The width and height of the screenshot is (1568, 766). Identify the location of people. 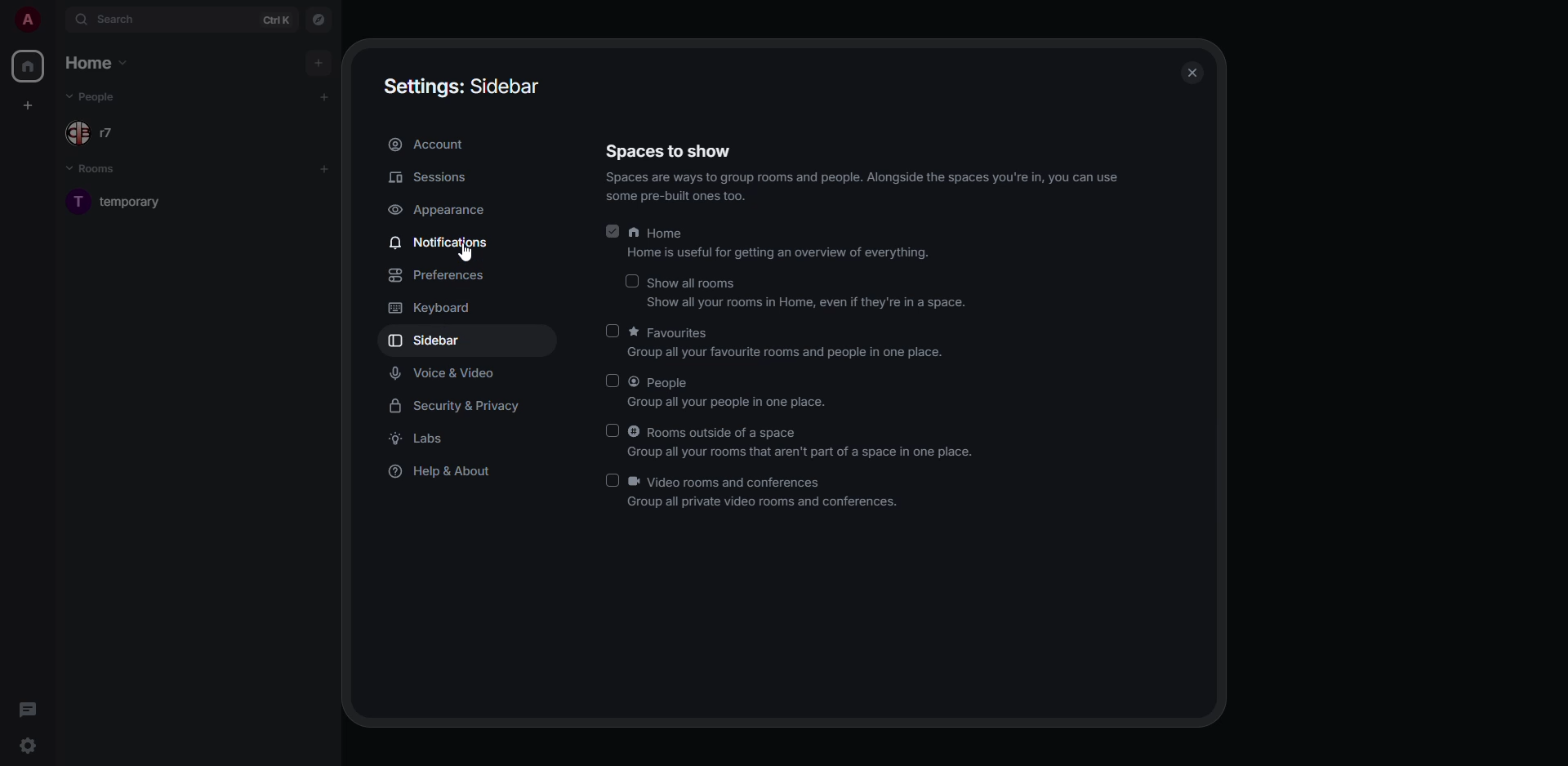
(99, 96).